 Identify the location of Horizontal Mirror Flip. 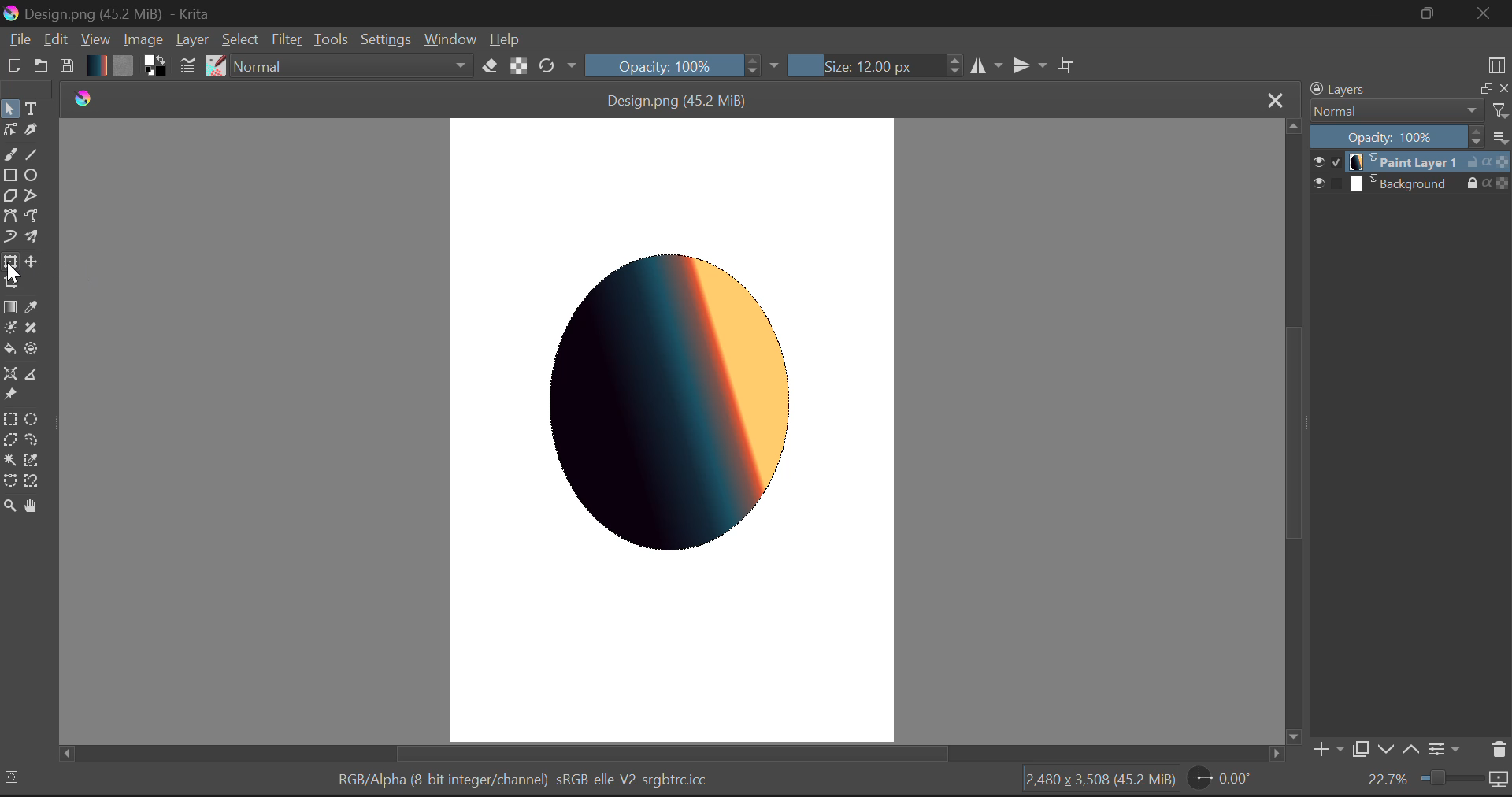
(1026, 65).